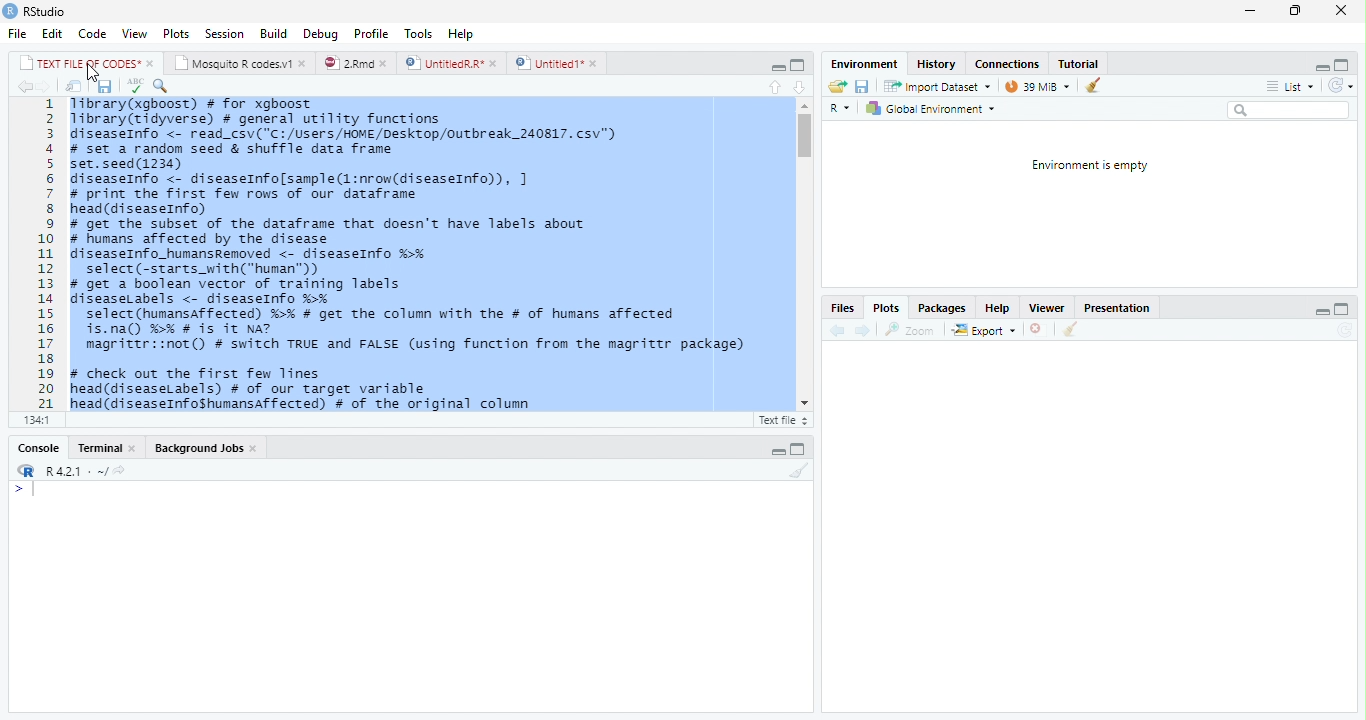 The height and width of the screenshot is (720, 1366). Describe the element at coordinates (1049, 307) in the screenshot. I see `Viewer` at that location.